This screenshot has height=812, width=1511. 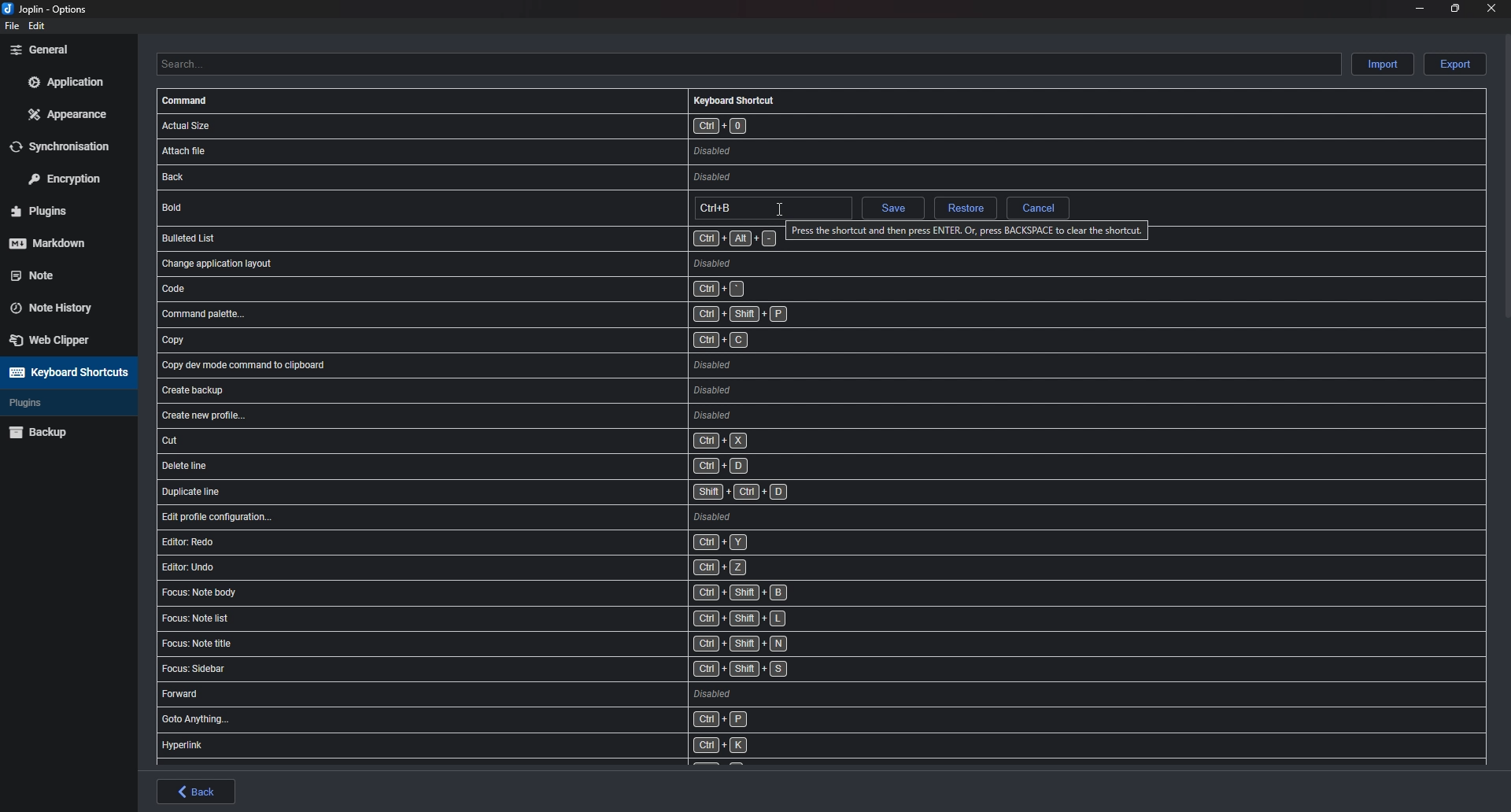 I want to click on options, so click(x=49, y=10).